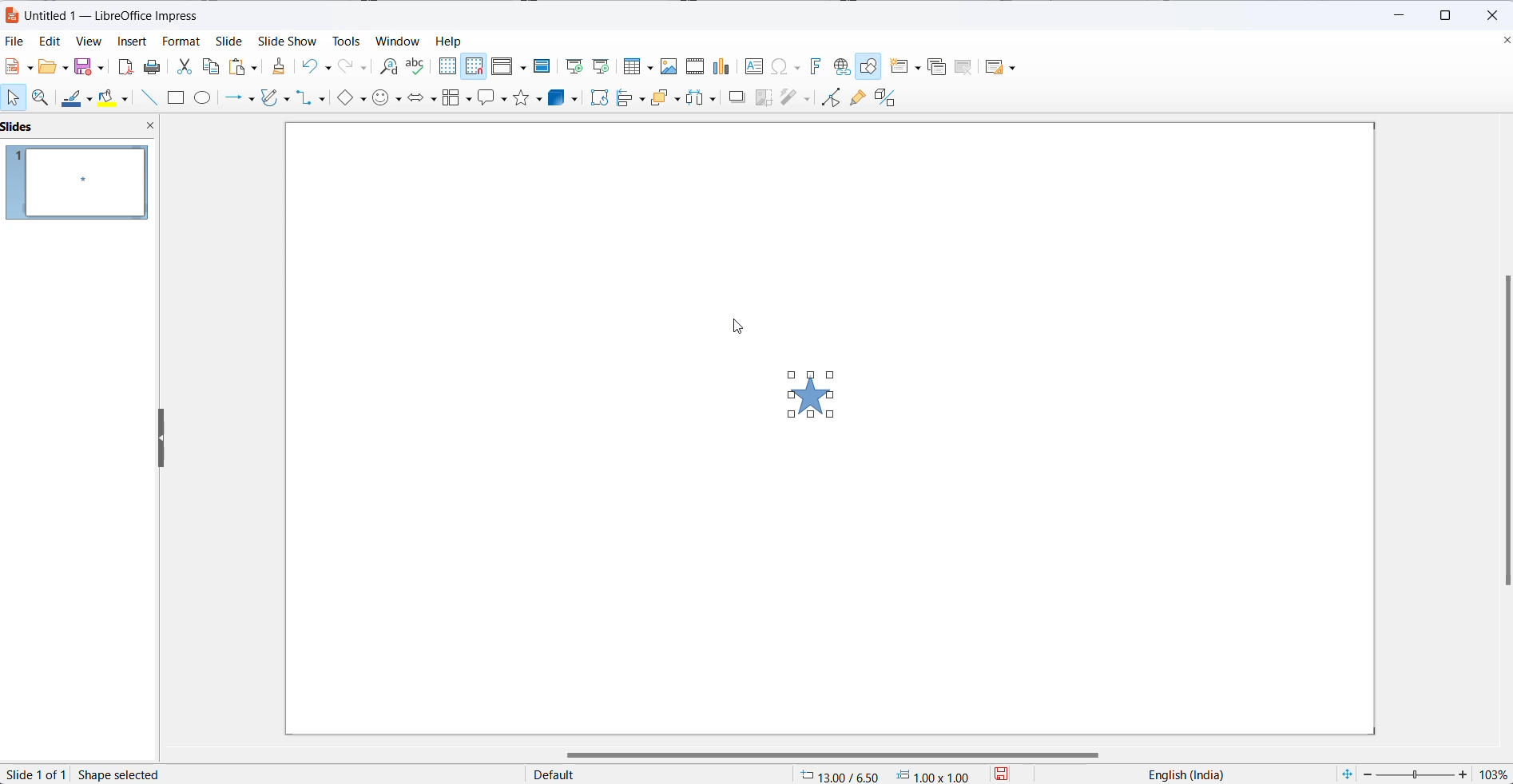  Describe the element at coordinates (117, 97) in the screenshot. I see `fill color` at that location.